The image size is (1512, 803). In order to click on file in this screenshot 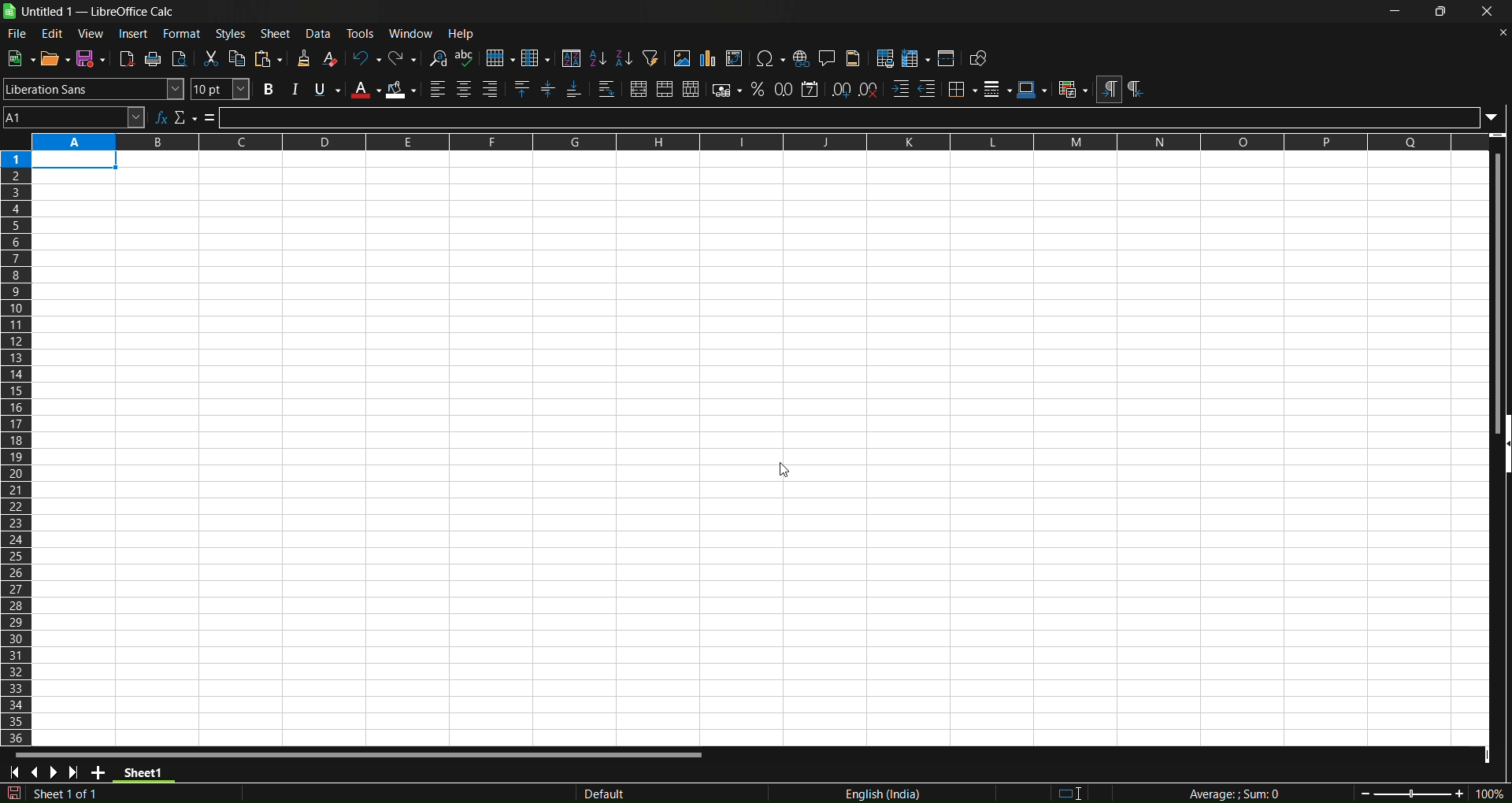, I will do `click(15, 35)`.